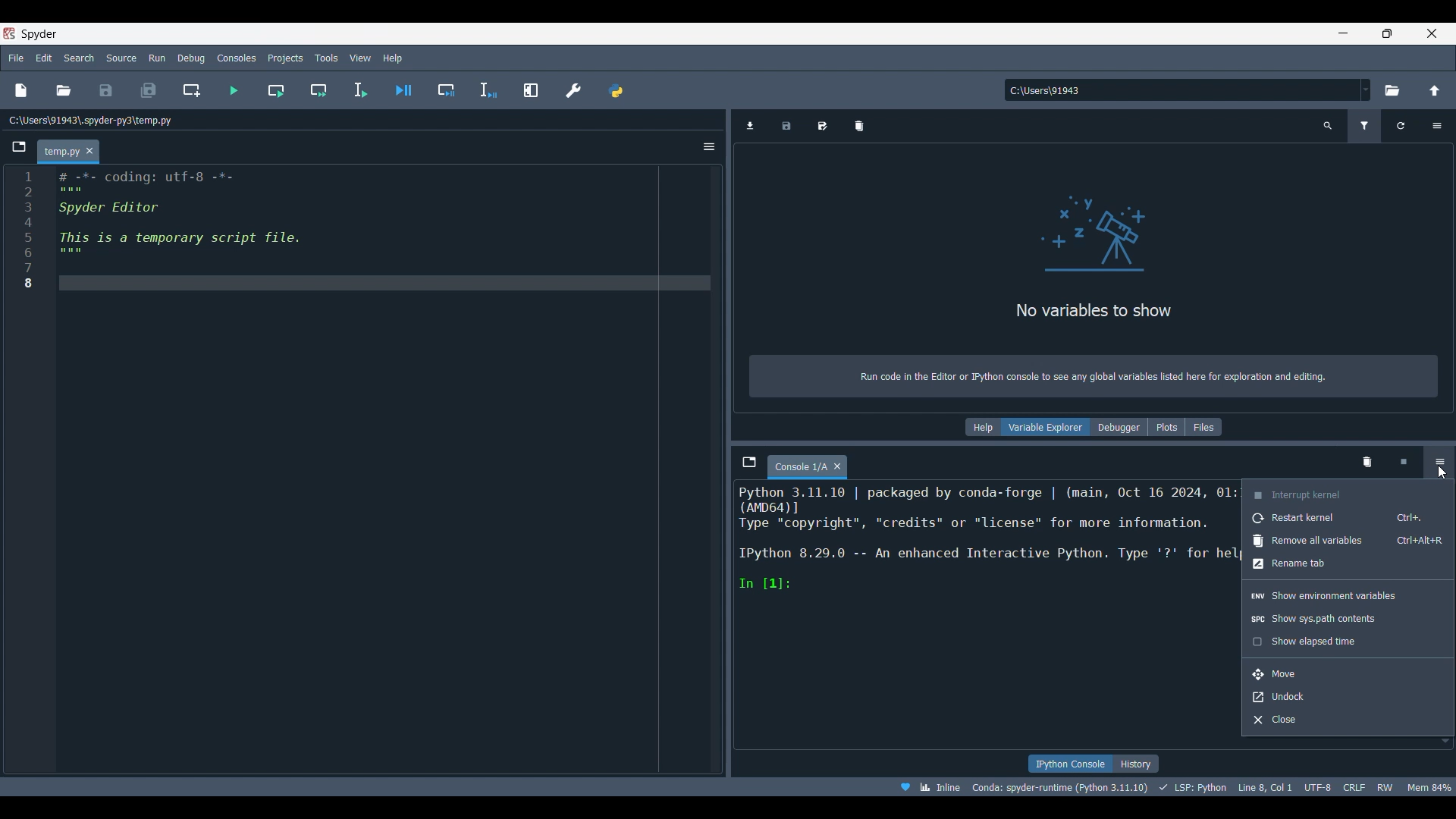 The width and height of the screenshot is (1456, 819). I want to click on Software logo, so click(9, 33).